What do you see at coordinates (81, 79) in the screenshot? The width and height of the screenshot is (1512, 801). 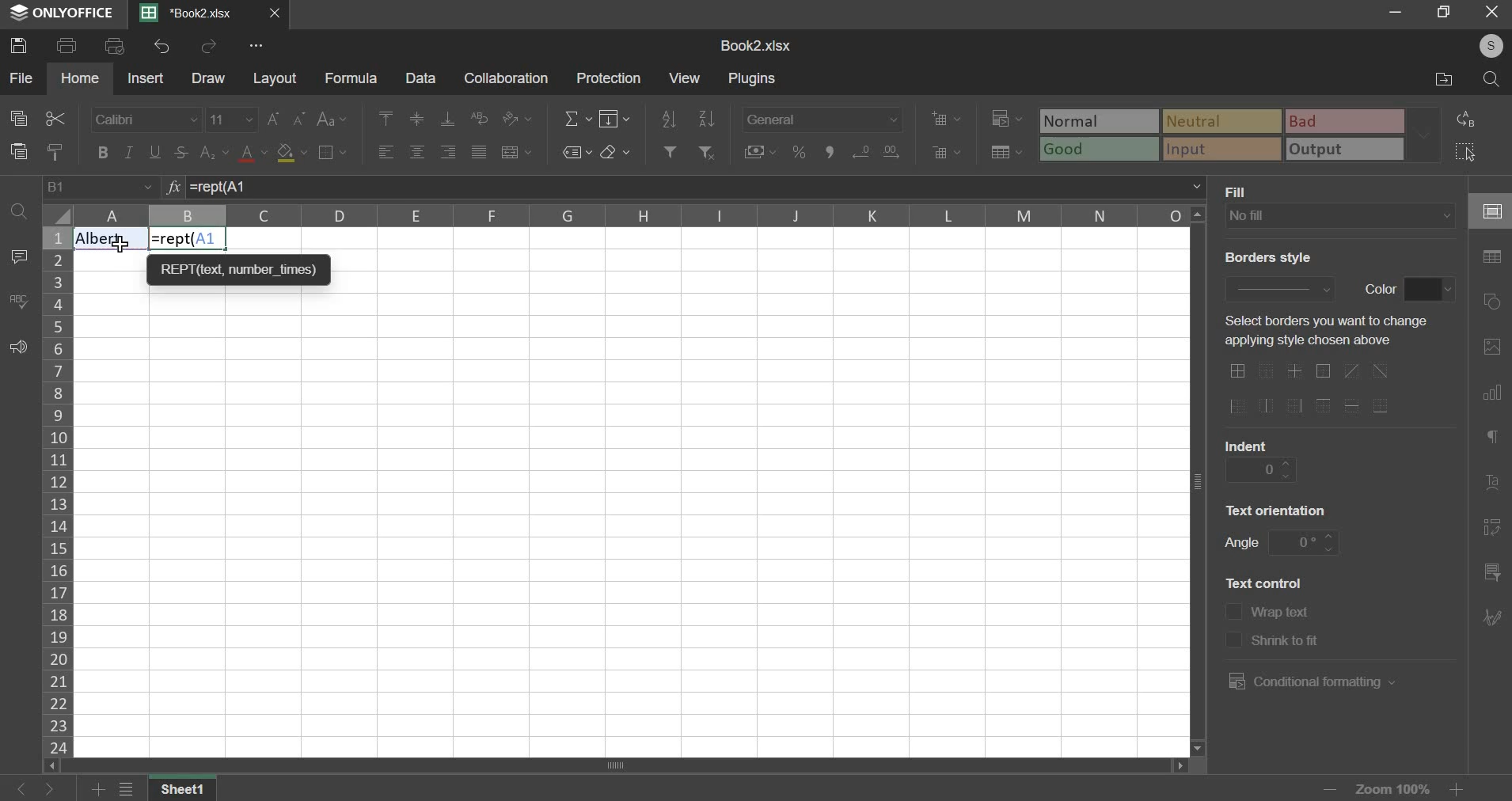 I see `home` at bounding box center [81, 79].